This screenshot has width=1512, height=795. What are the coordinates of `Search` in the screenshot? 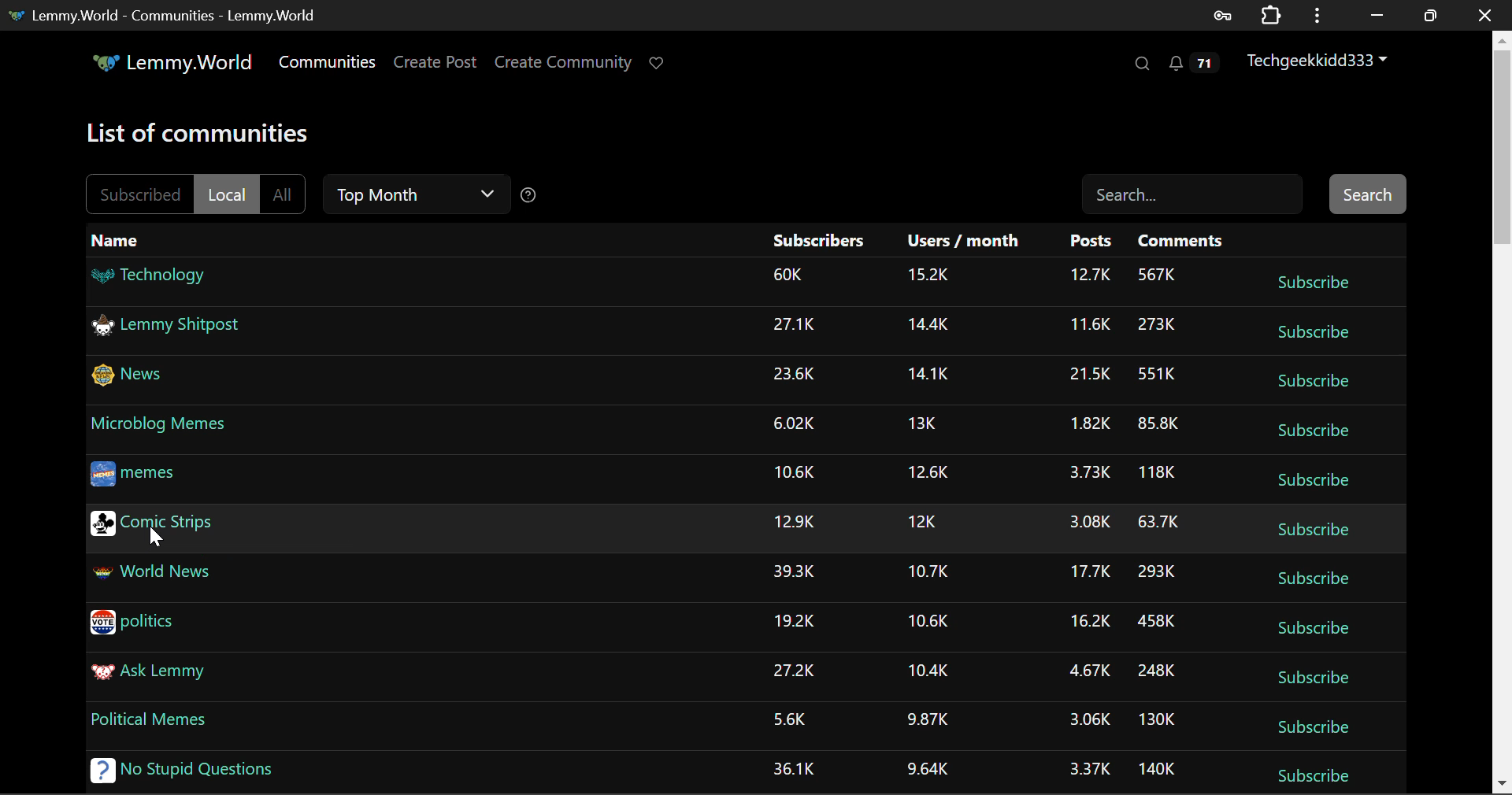 It's located at (1142, 65).